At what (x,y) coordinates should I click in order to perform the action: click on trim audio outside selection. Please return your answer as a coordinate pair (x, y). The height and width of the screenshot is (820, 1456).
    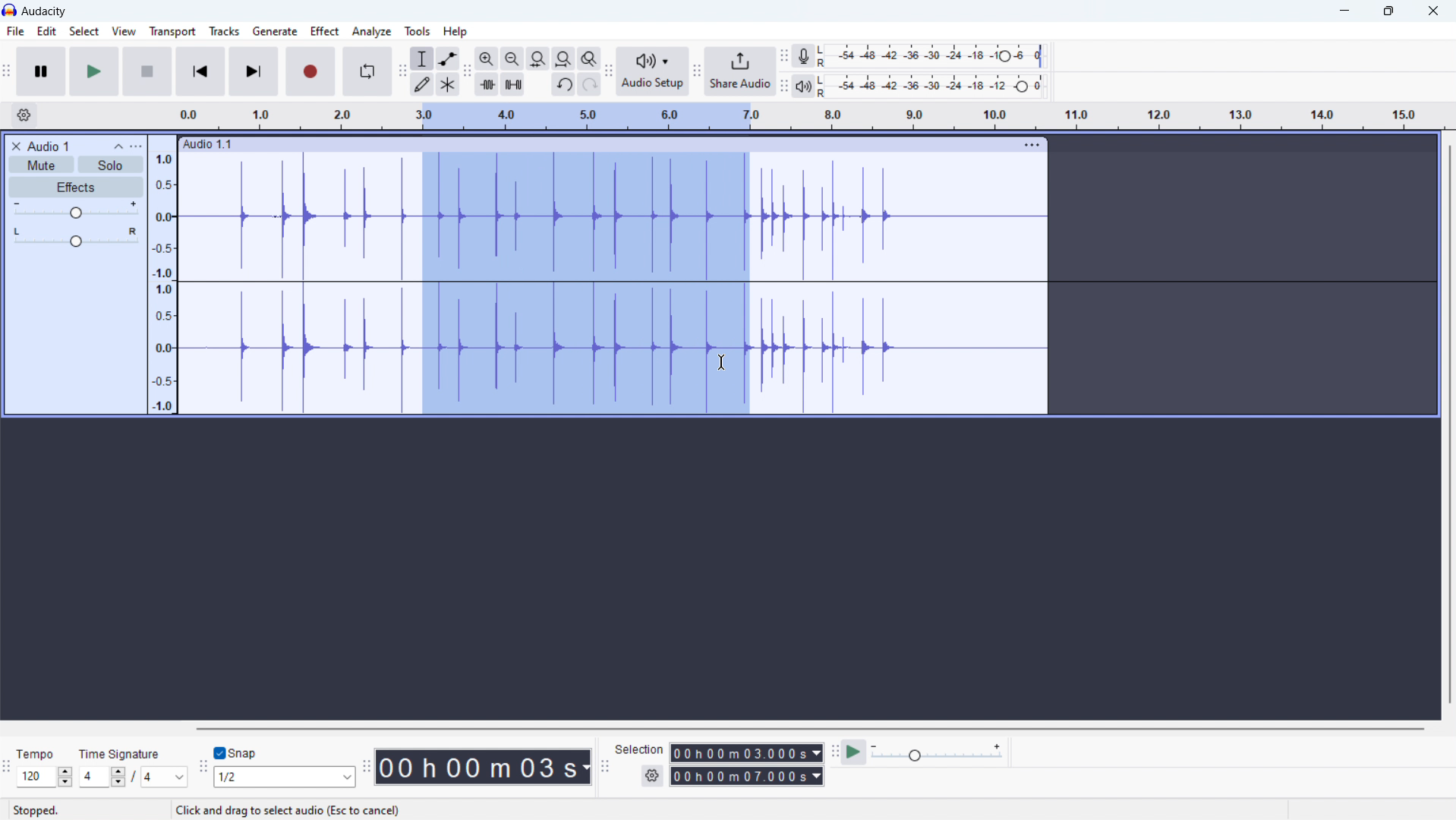
    Looking at the image, I should click on (487, 84).